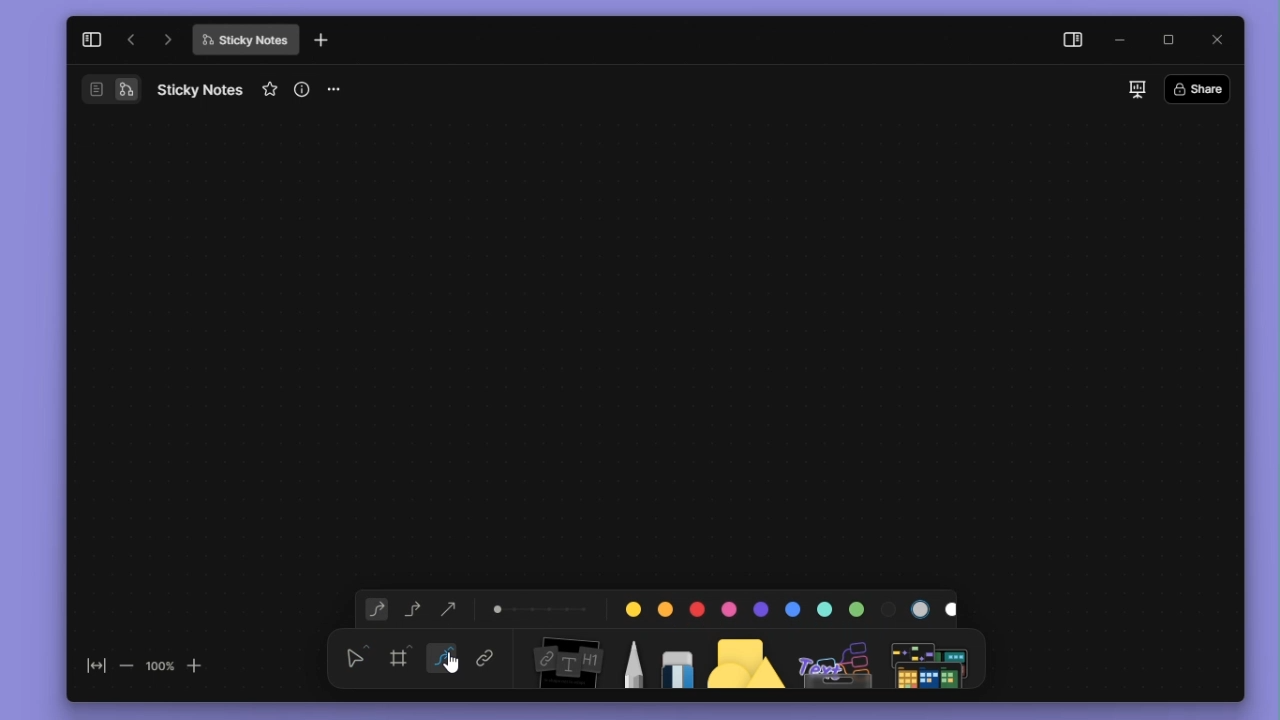 The height and width of the screenshot is (720, 1280). What do you see at coordinates (413, 607) in the screenshot?
I see `elbowed` at bounding box center [413, 607].